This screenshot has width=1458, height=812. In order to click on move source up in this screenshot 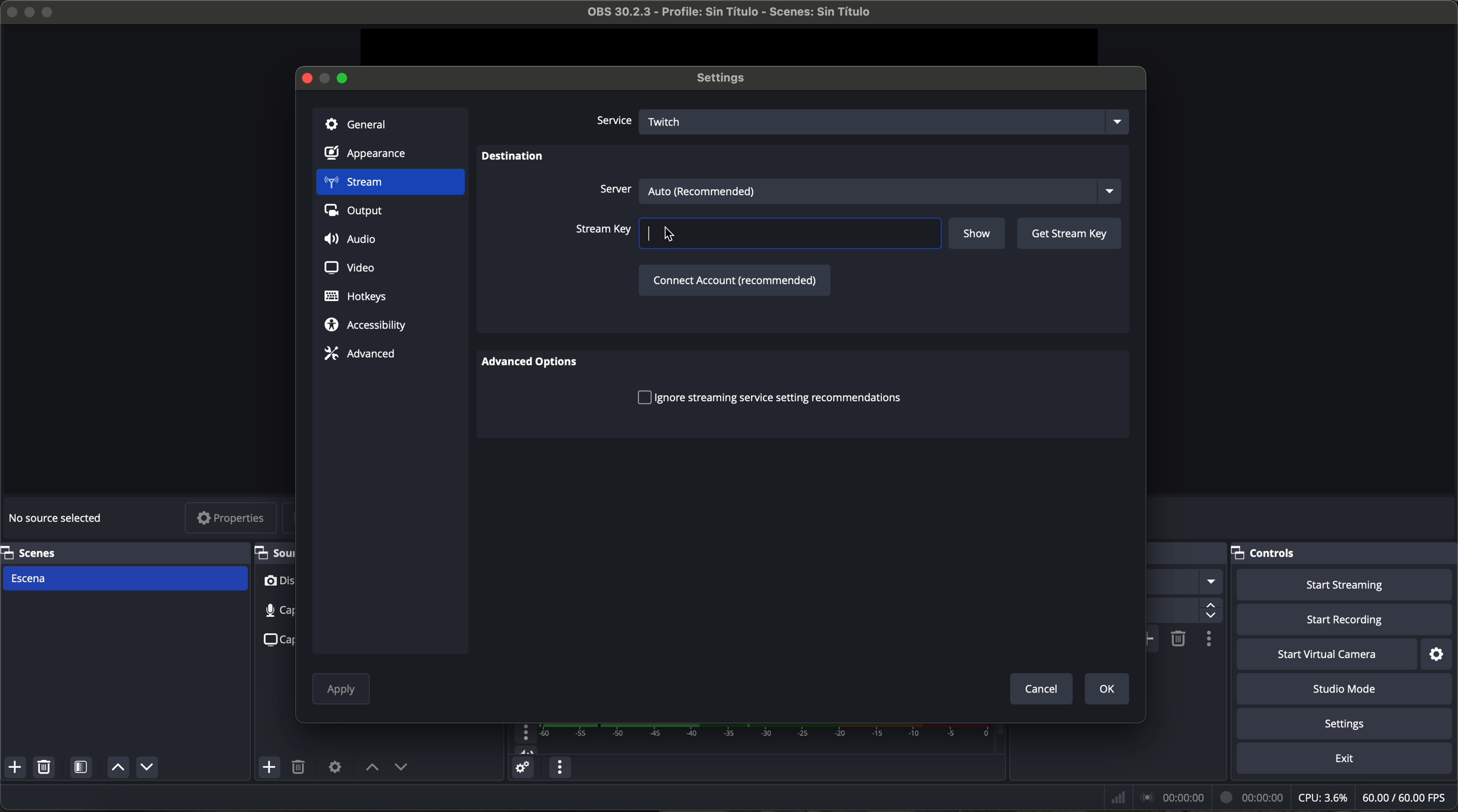, I will do `click(372, 768)`.